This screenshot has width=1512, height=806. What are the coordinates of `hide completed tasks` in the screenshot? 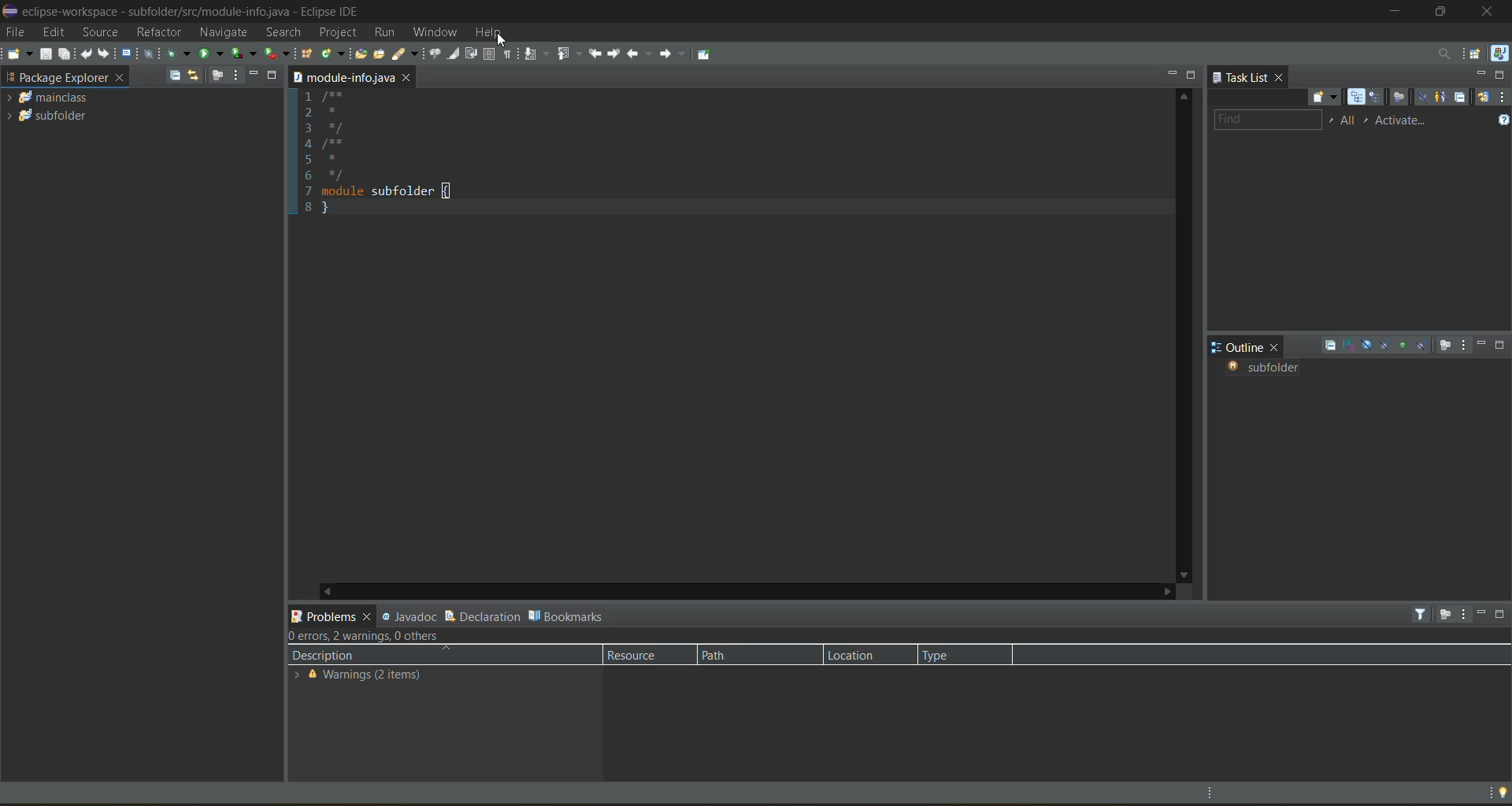 It's located at (1424, 97).